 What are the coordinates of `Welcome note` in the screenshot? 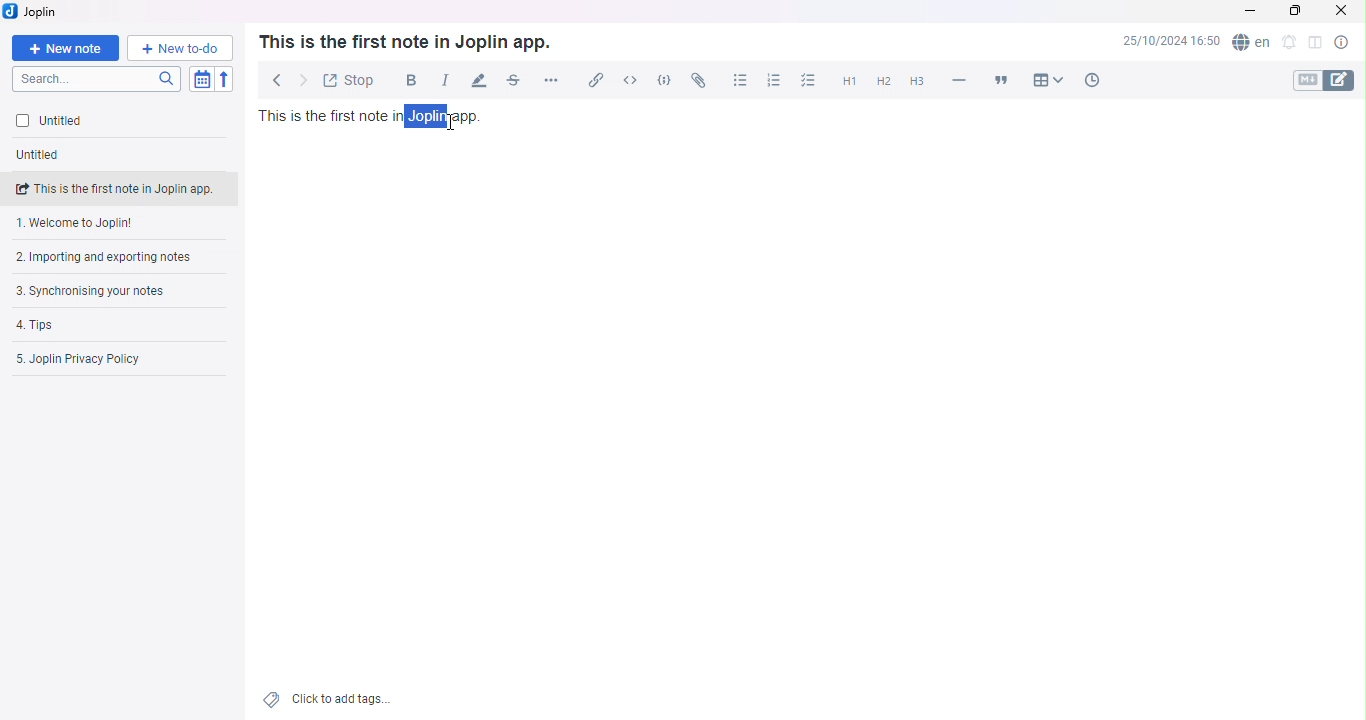 It's located at (116, 224).